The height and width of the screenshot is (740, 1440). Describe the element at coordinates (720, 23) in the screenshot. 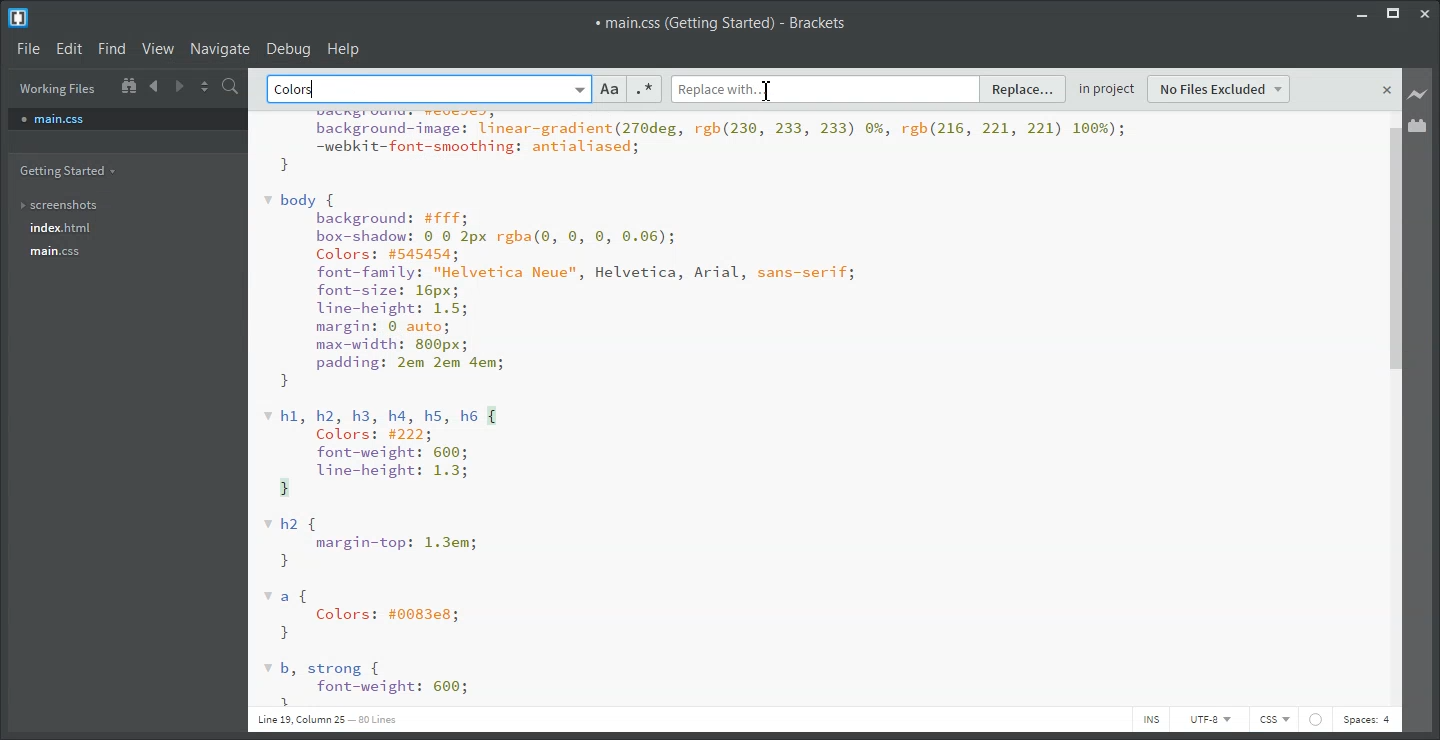

I see `main.css (Getting Started) - Brackets` at that location.